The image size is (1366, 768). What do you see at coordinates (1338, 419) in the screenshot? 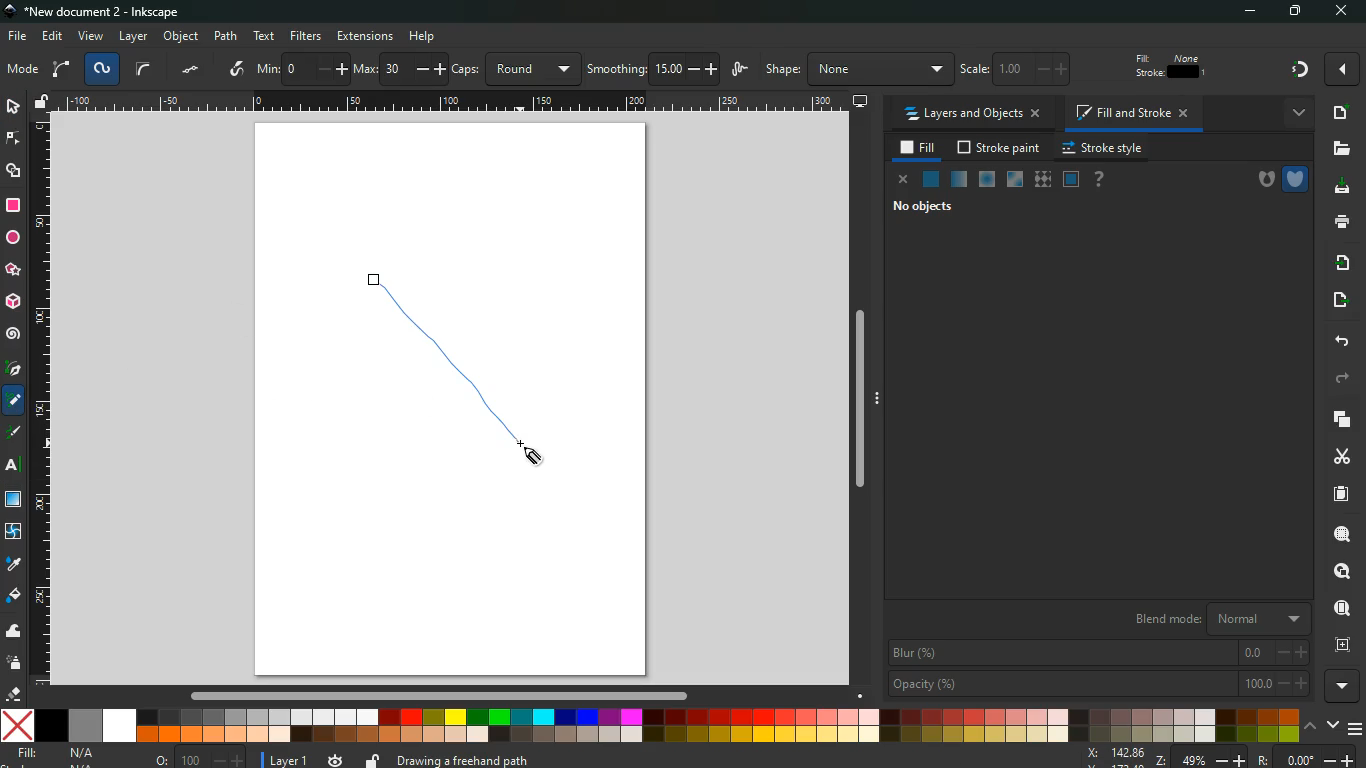
I see `layers` at bounding box center [1338, 419].